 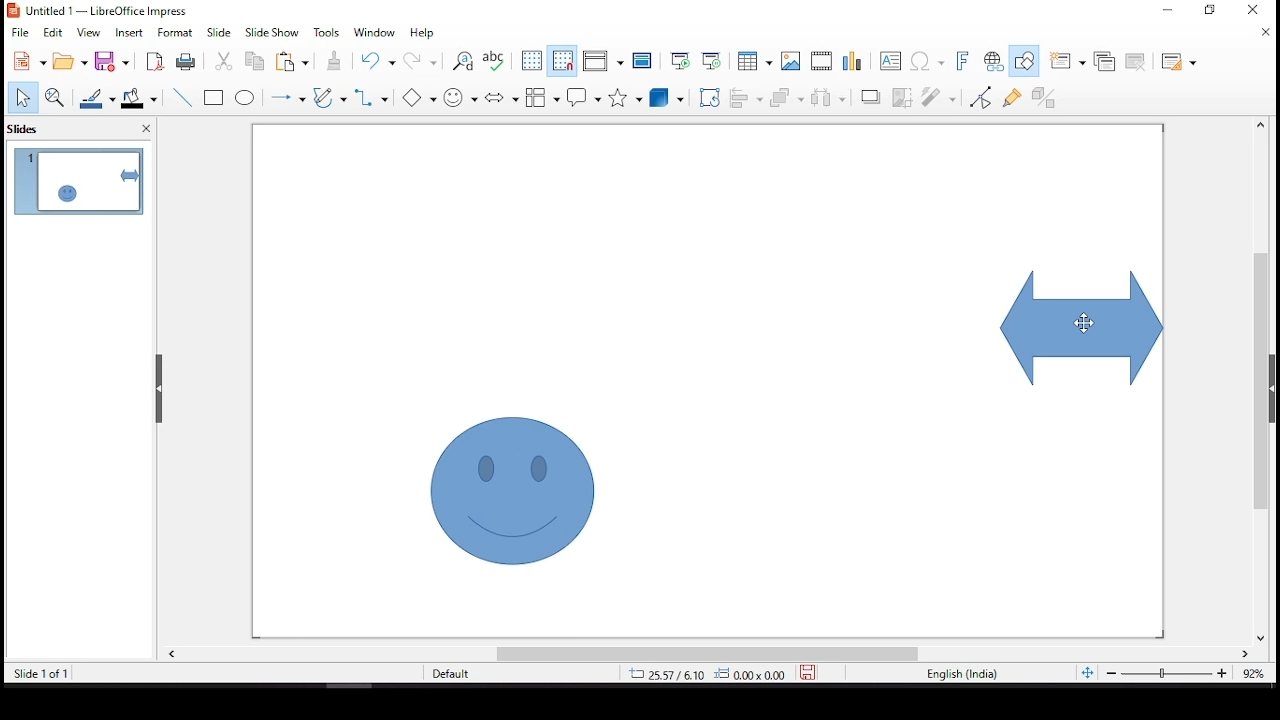 What do you see at coordinates (70, 61) in the screenshot?
I see `open` at bounding box center [70, 61].